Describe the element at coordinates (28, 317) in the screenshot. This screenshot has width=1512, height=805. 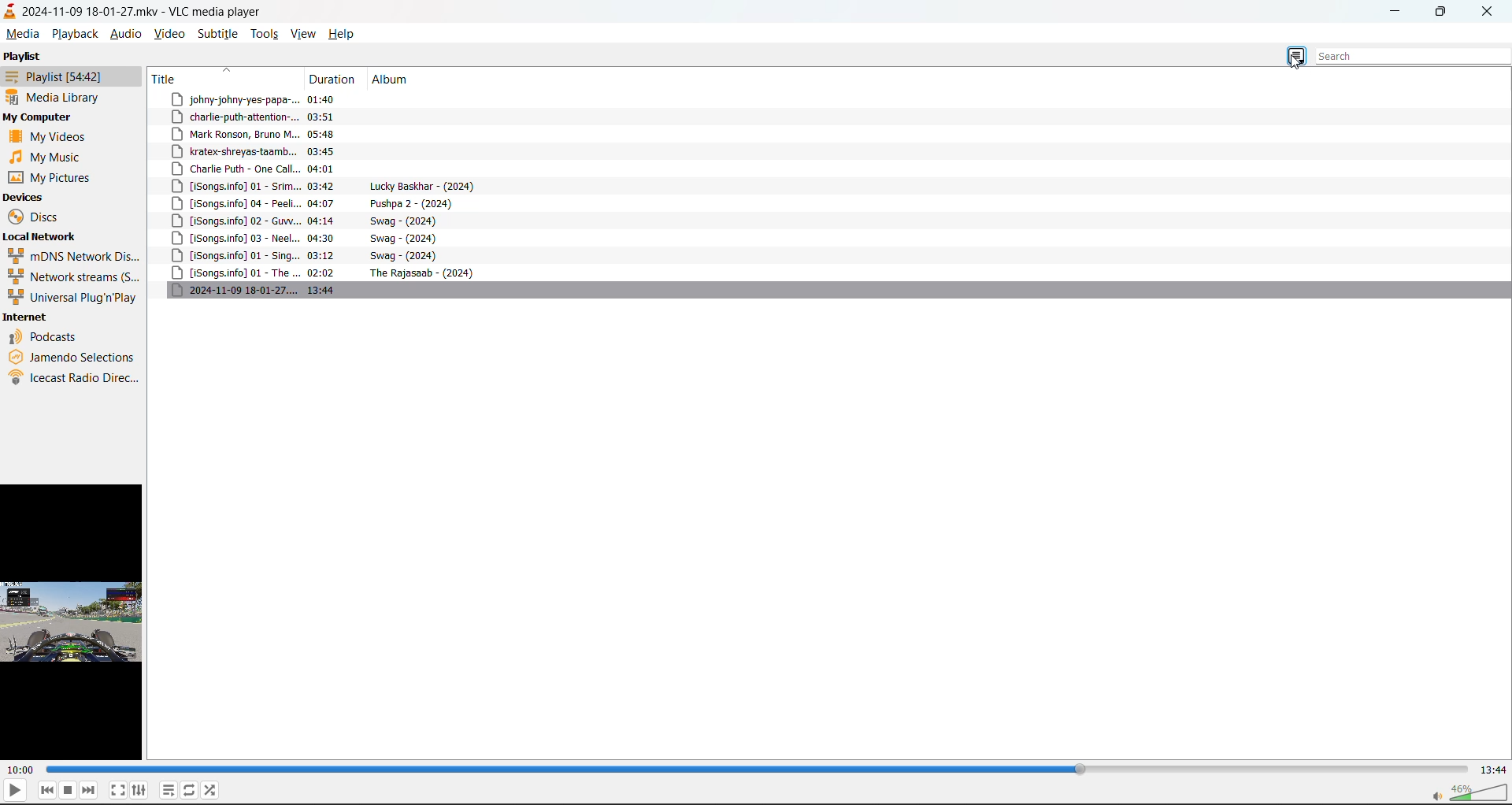
I see `internet` at that location.